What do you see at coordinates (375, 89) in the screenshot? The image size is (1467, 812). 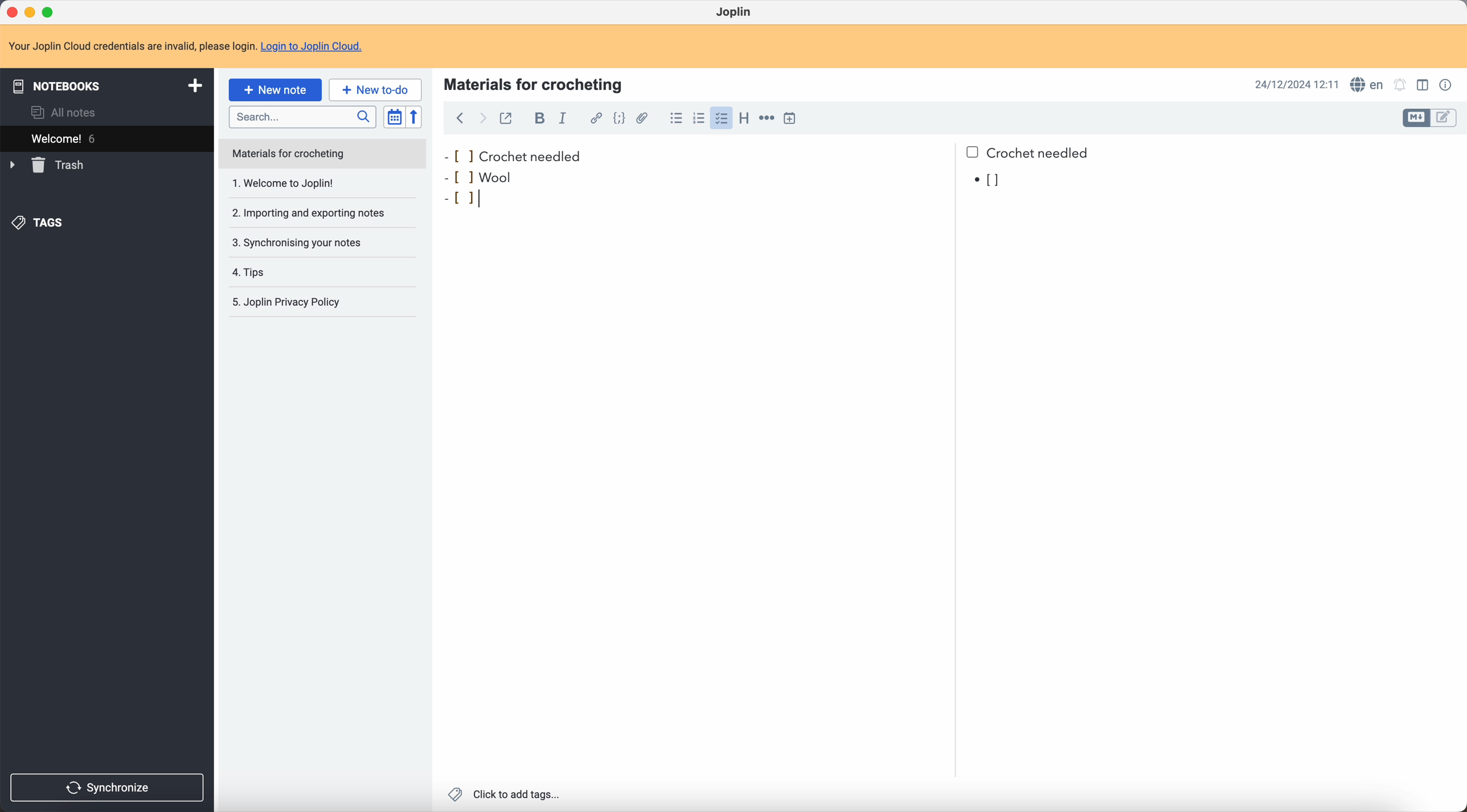 I see `new to-do` at bounding box center [375, 89].